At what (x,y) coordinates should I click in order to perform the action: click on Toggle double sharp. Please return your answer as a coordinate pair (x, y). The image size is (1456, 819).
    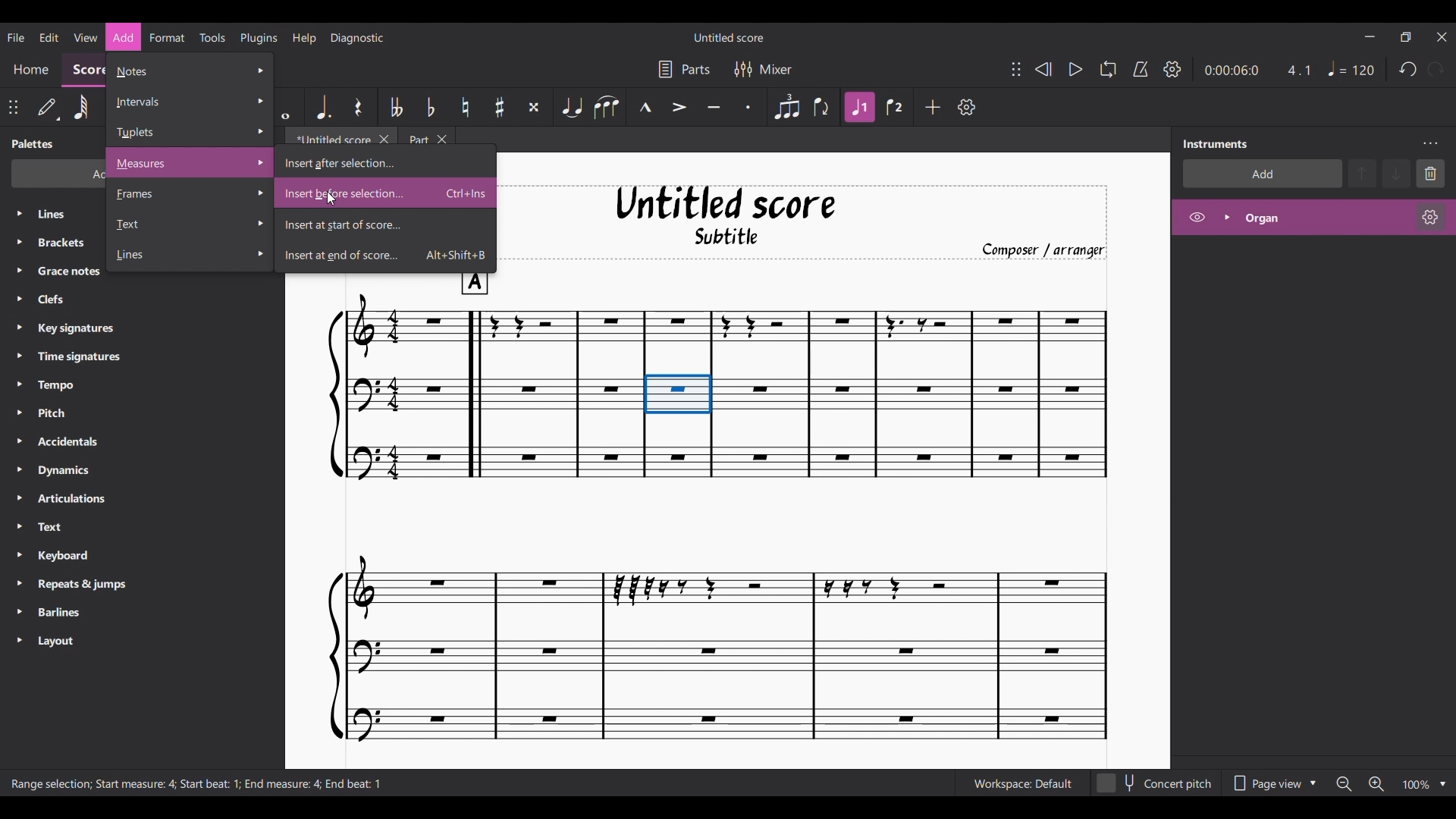
    Looking at the image, I should click on (534, 107).